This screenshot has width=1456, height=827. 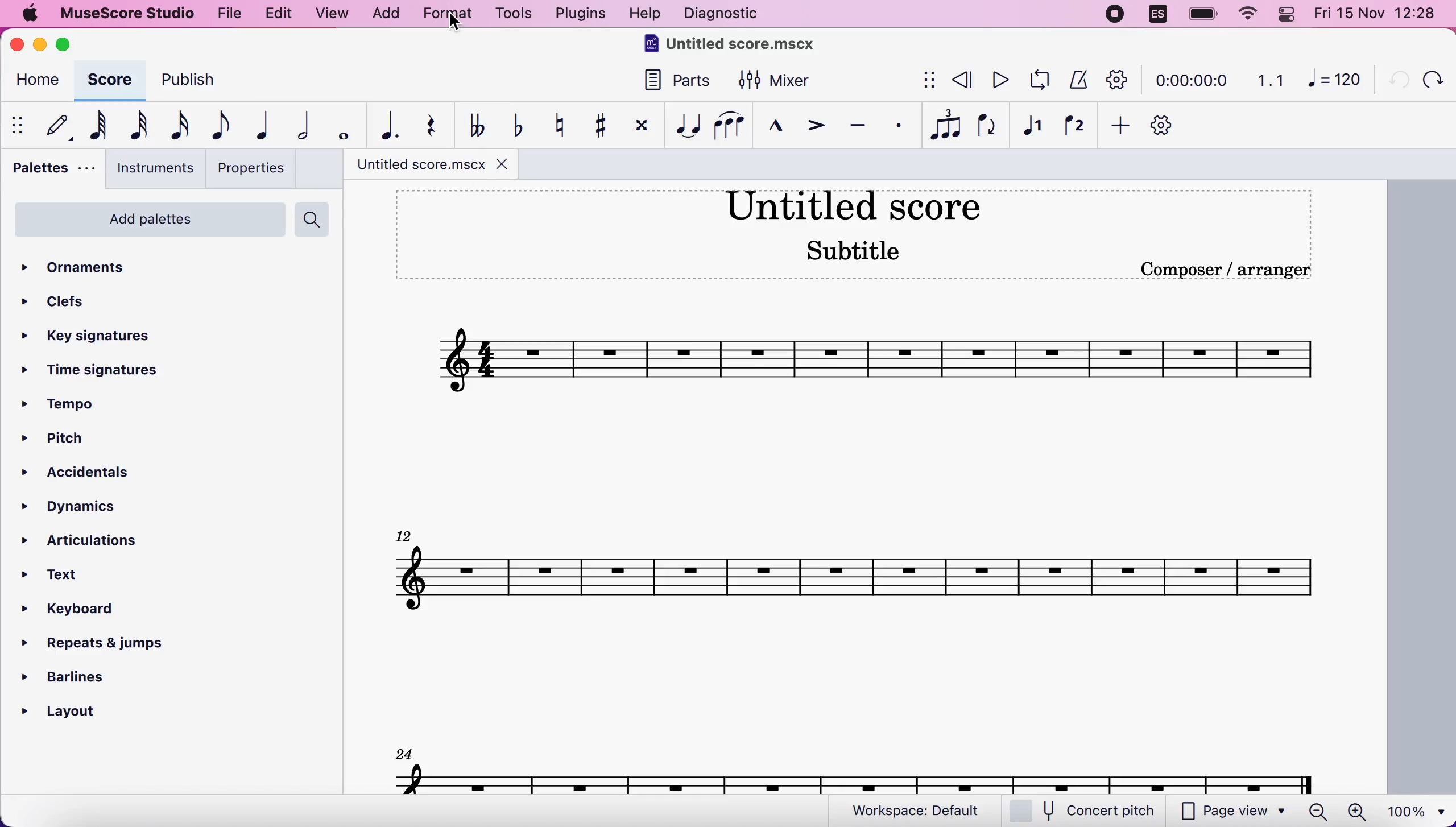 What do you see at coordinates (82, 611) in the screenshot?
I see `keyboard` at bounding box center [82, 611].